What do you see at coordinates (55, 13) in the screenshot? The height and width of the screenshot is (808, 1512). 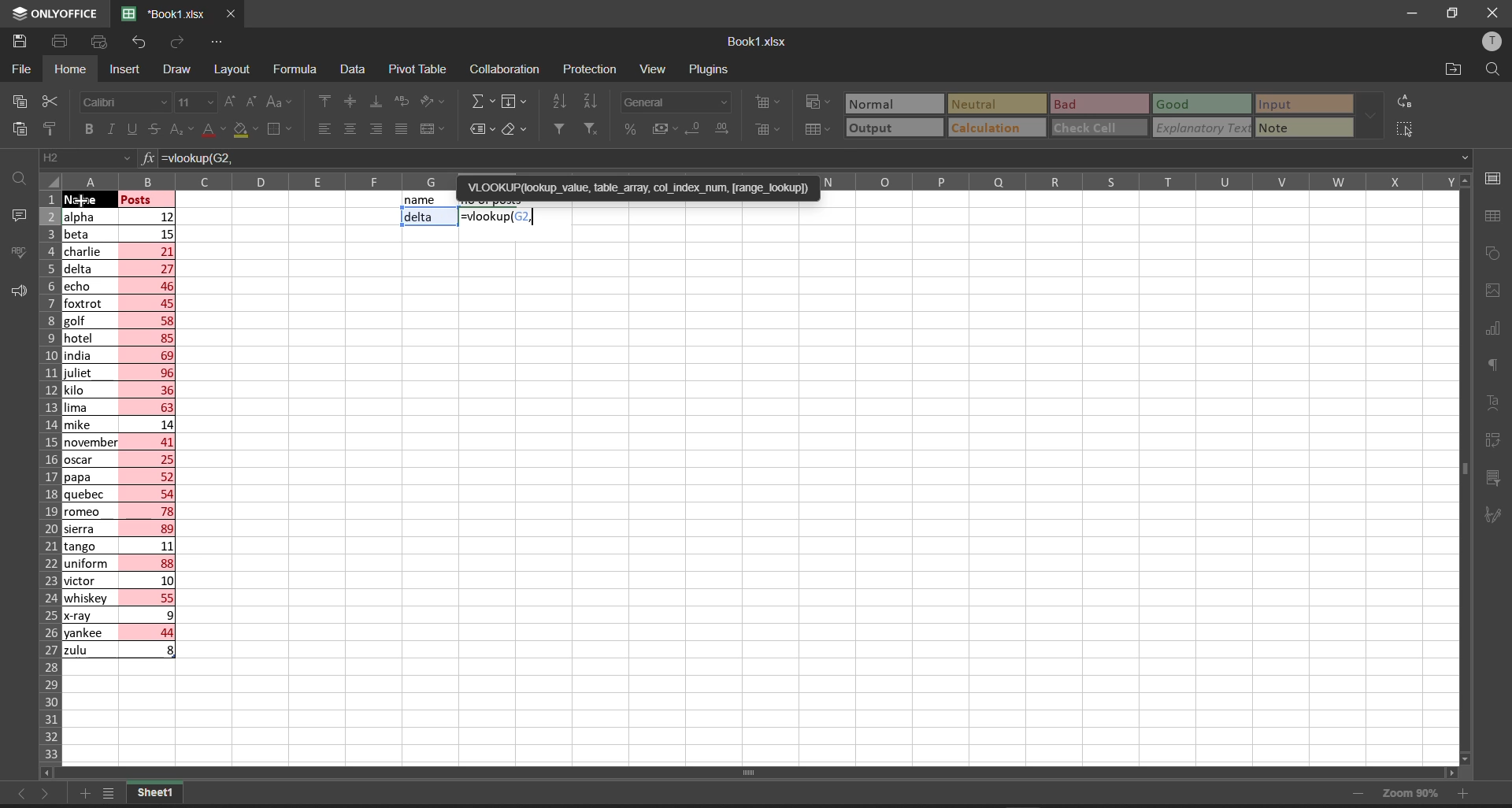 I see `onlyoffice` at bounding box center [55, 13].